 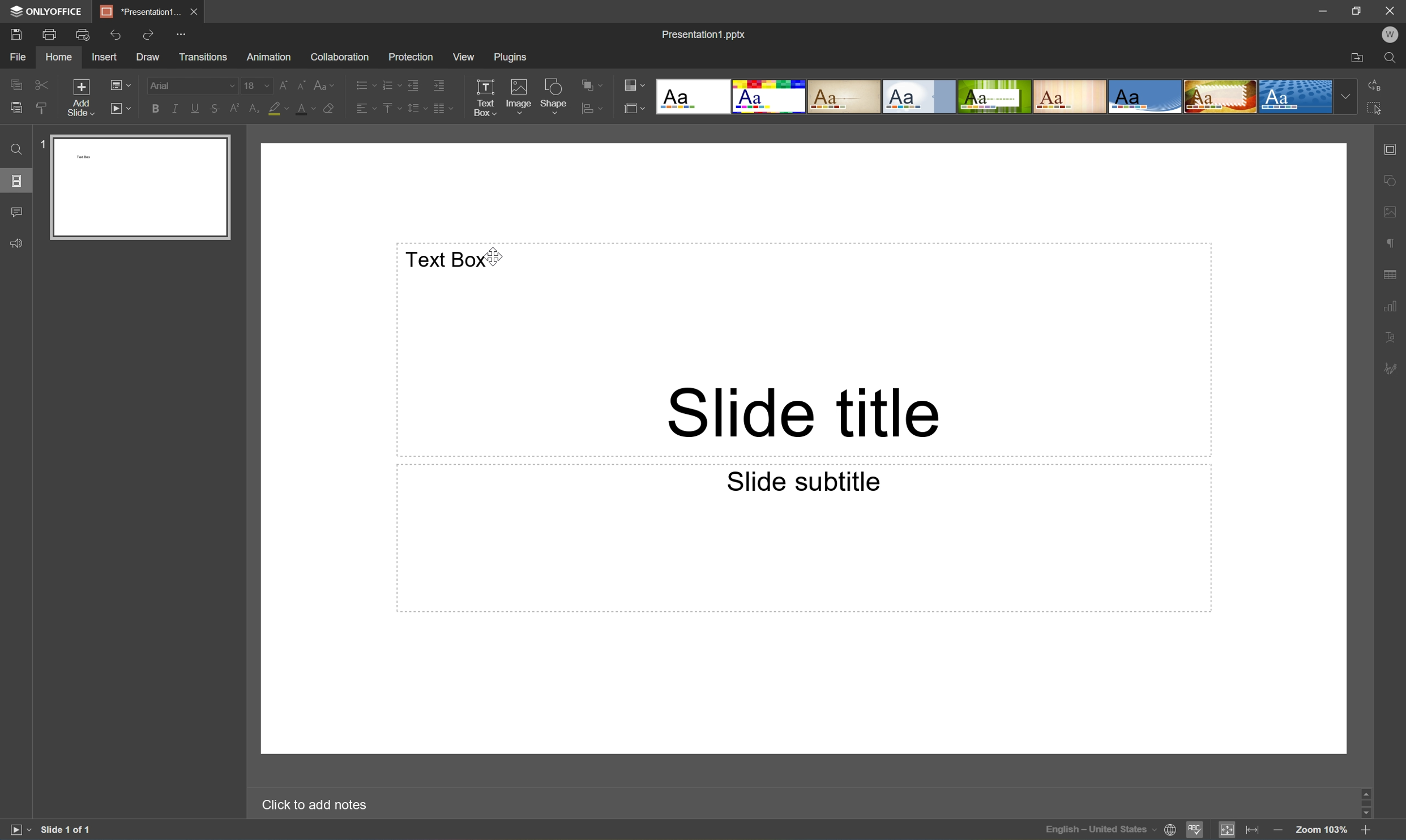 What do you see at coordinates (205, 57) in the screenshot?
I see `Transitions` at bounding box center [205, 57].